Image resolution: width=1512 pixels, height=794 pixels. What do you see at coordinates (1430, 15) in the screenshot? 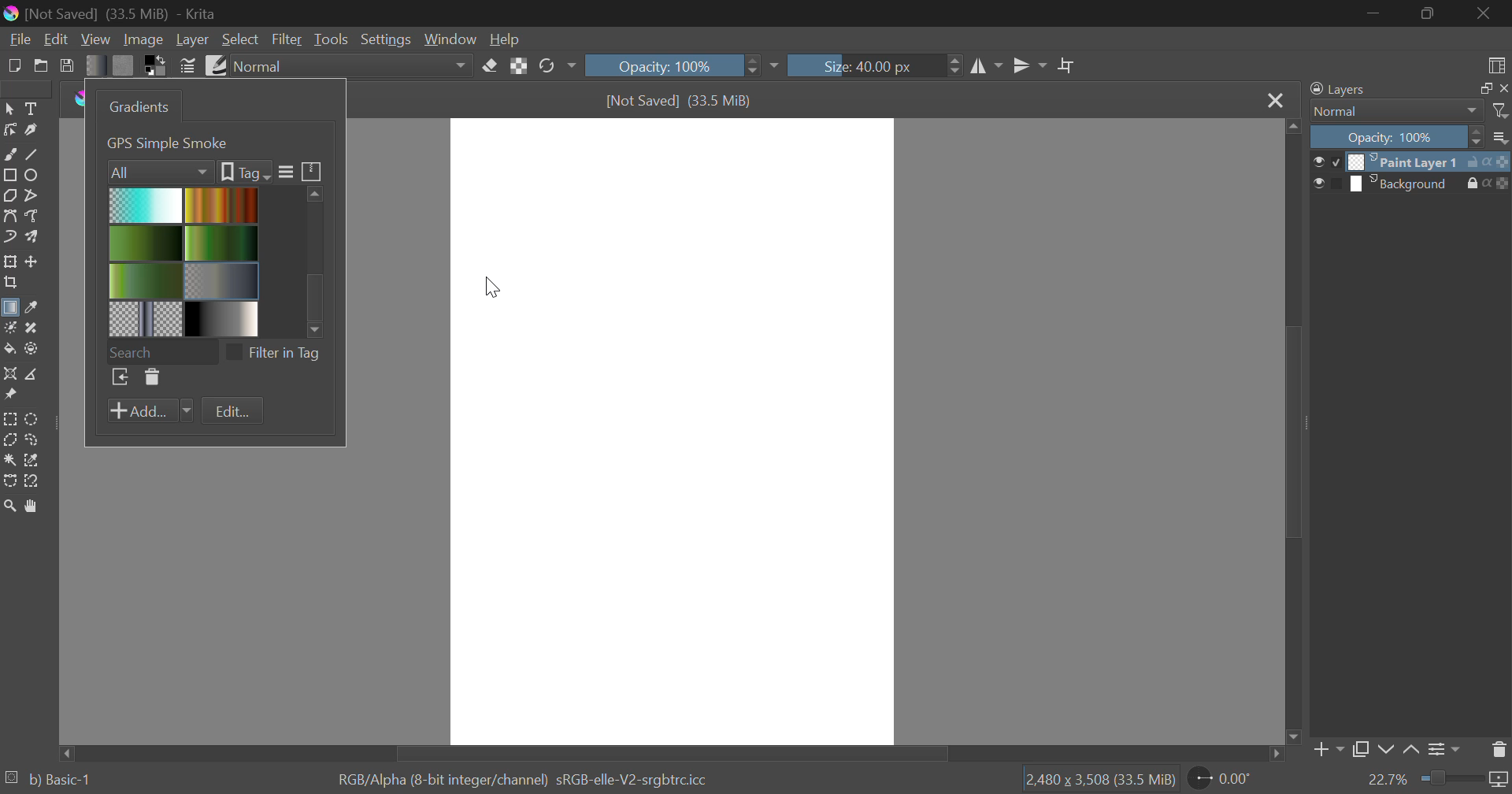
I see `Minimize` at bounding box center [1430, 15].